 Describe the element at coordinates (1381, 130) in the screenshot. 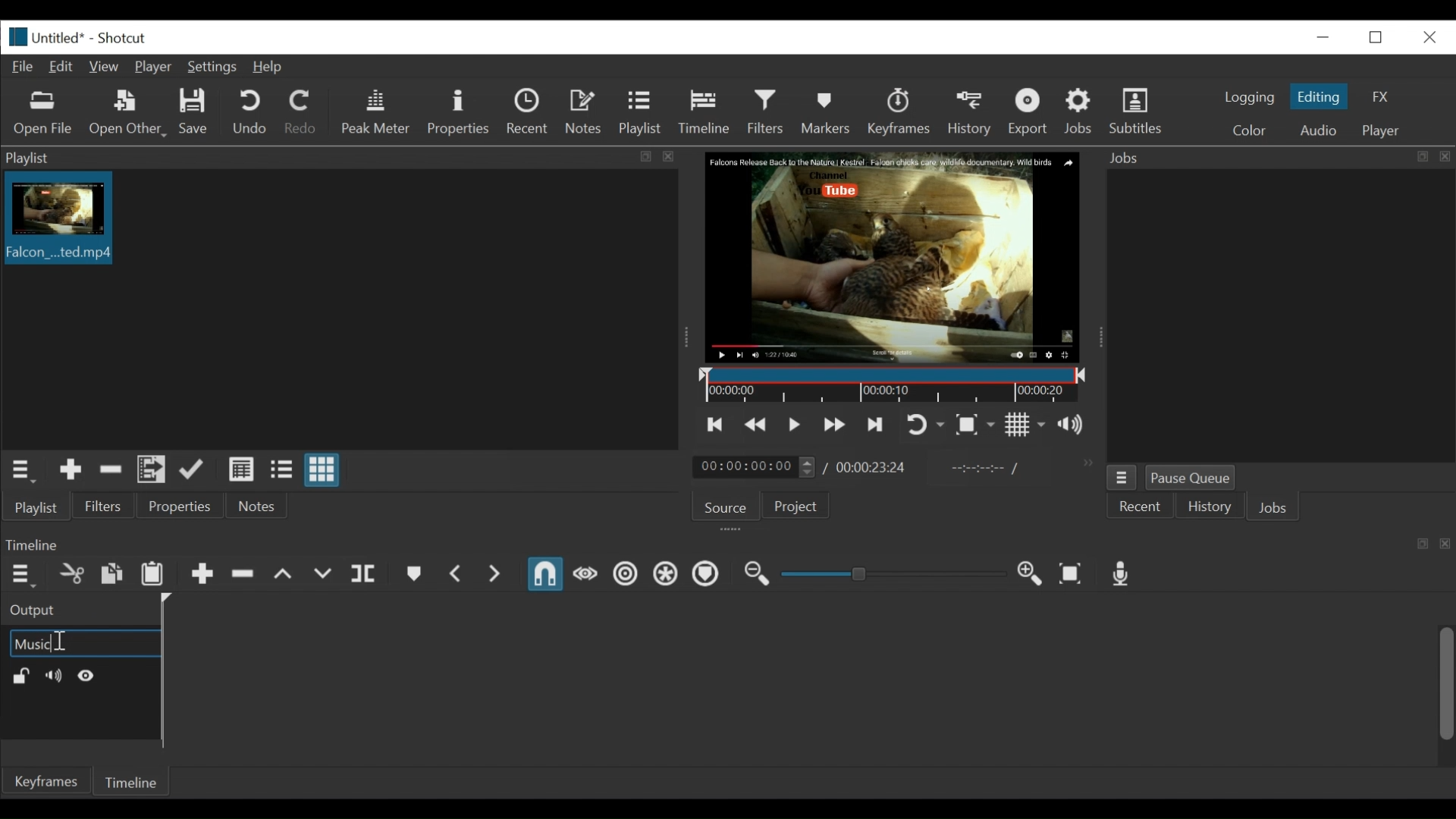

I see `Player` at that location.